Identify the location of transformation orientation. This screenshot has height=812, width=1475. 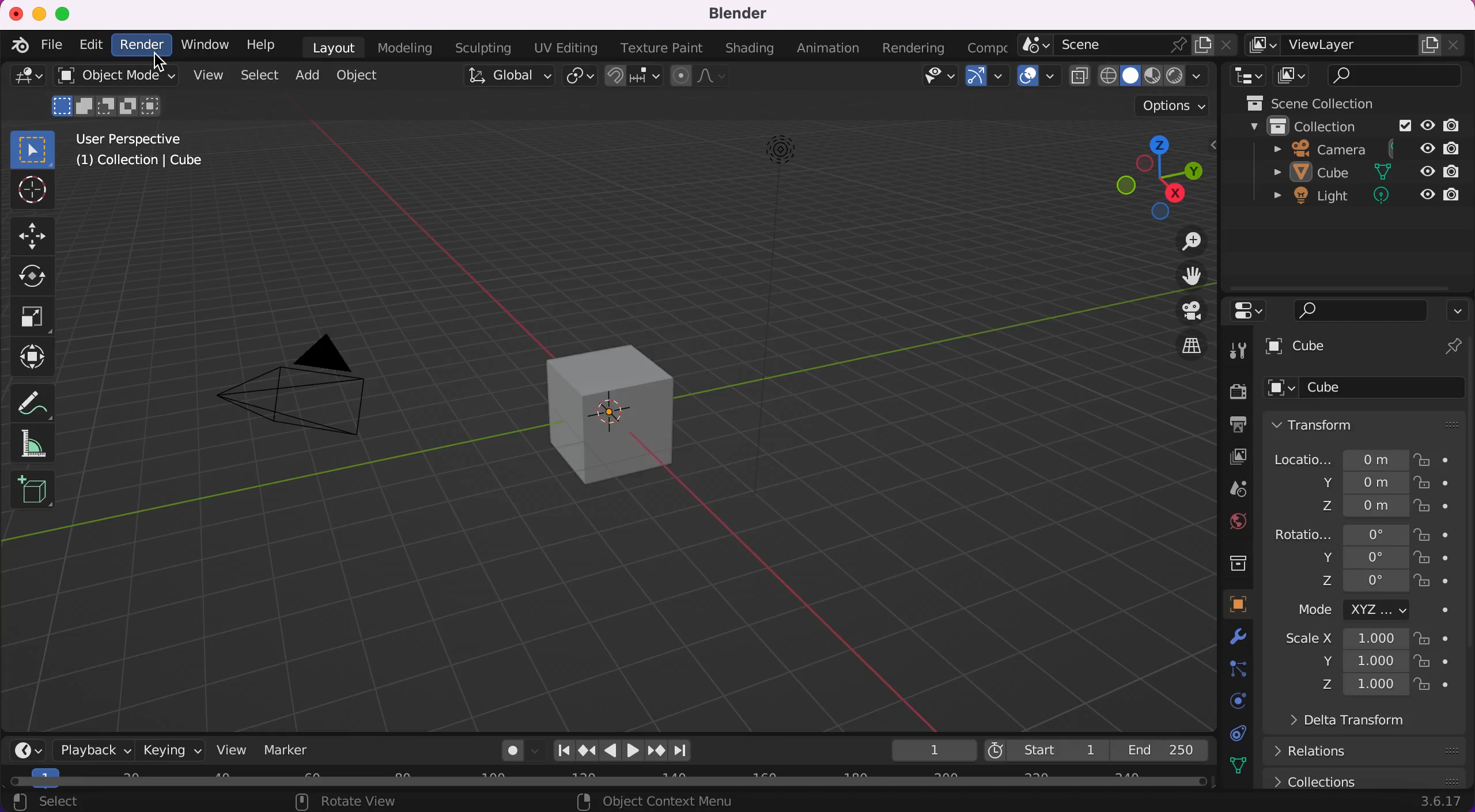
(502, 81).